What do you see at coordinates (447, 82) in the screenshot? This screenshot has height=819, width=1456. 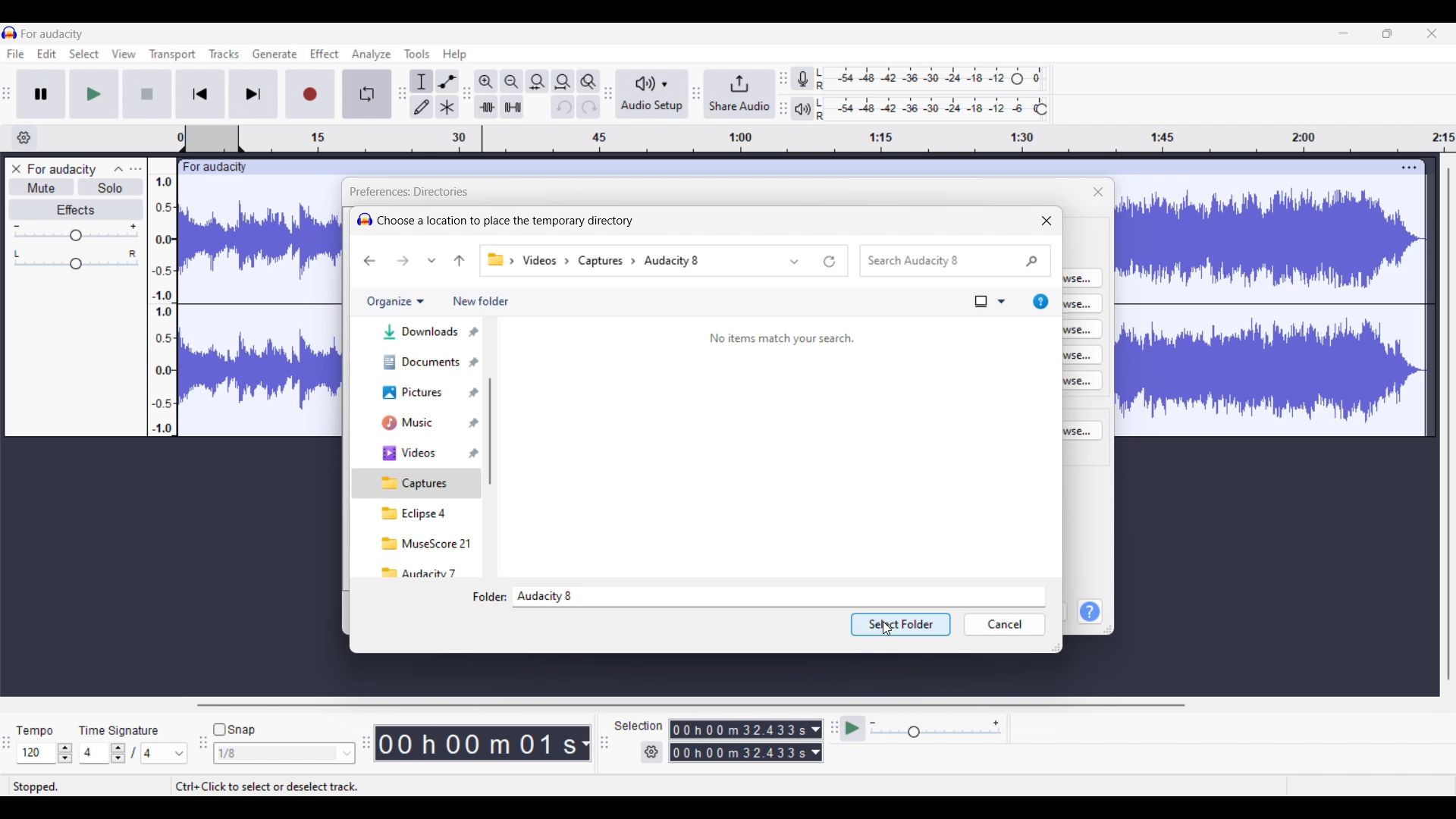 I see `Envelop tool` at bounding box center [447, 82].